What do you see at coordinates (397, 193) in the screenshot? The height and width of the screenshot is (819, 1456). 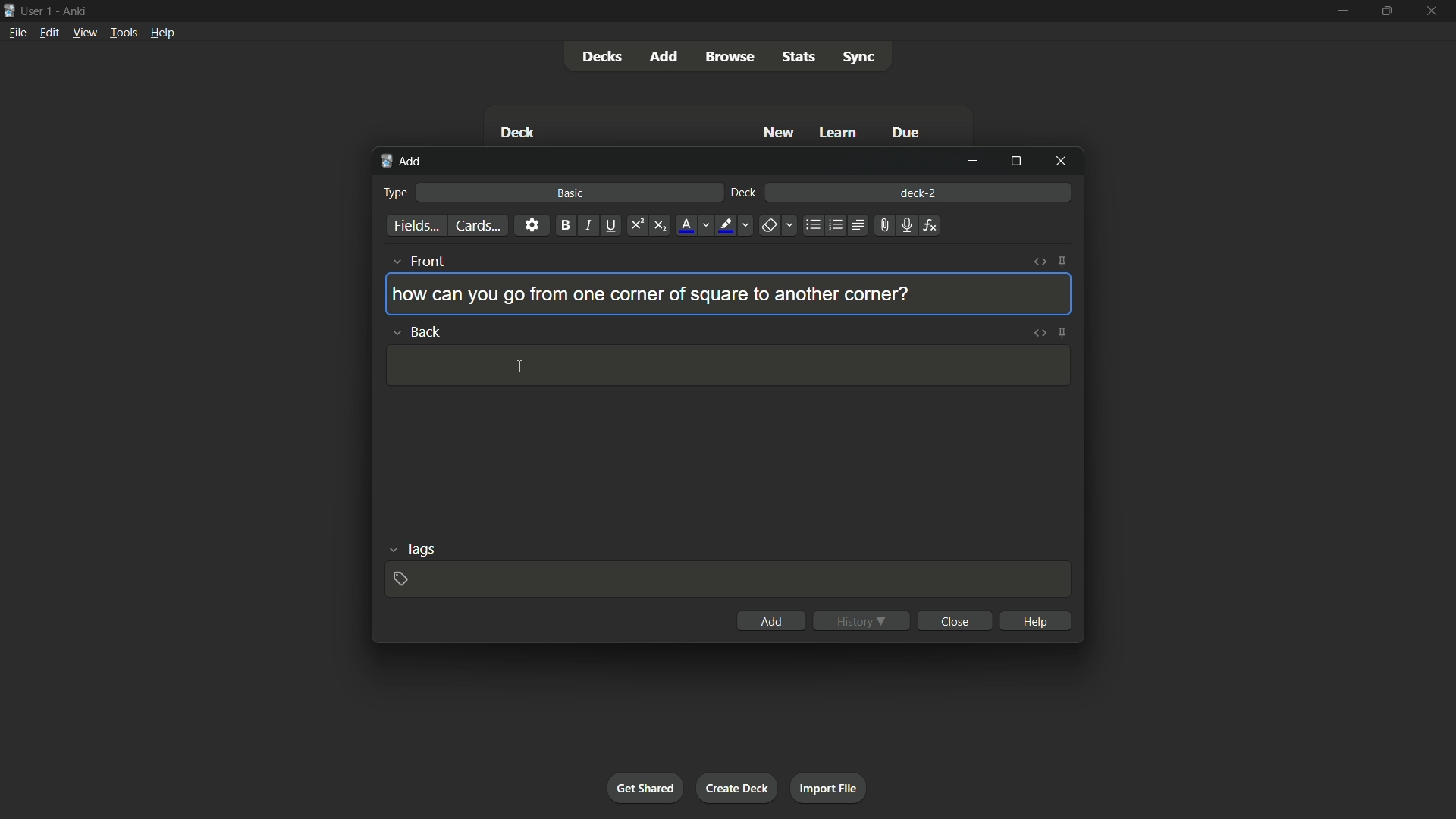 I see `type` at bounding box center [397, 193].